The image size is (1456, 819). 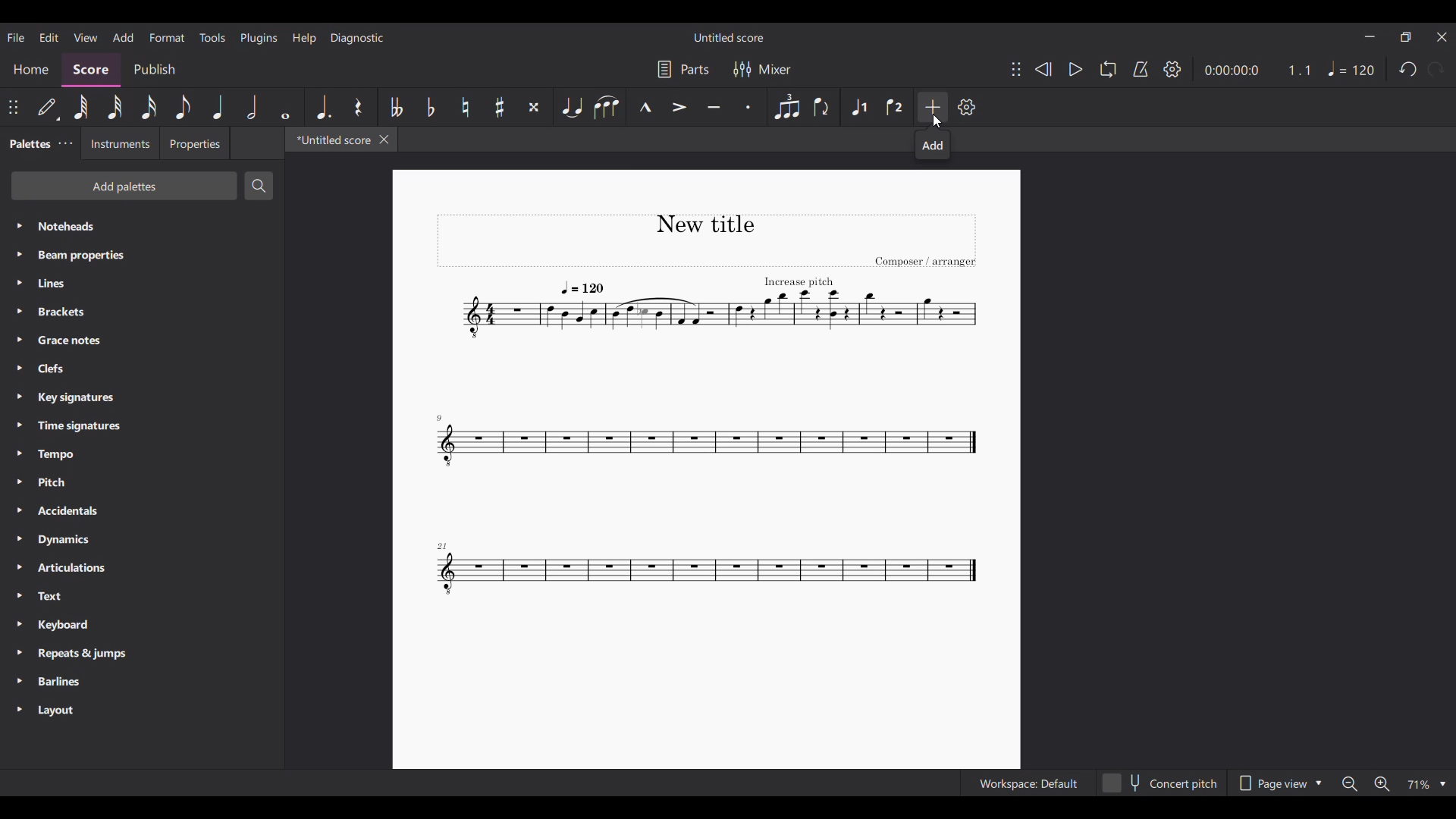 I want to click on Instruments, so click(x=118, y=143).